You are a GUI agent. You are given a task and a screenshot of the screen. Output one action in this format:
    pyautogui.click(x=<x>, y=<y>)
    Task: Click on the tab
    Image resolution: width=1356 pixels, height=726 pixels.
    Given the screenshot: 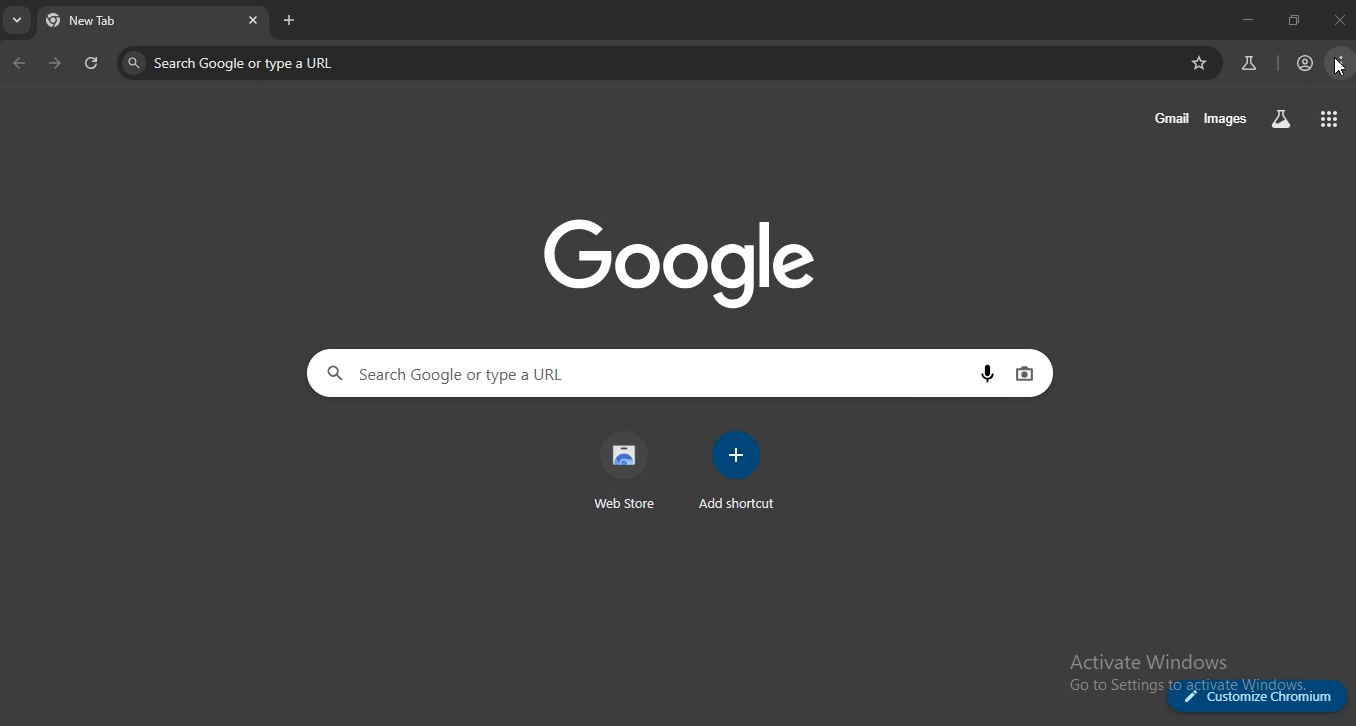 What is the action you would take?
    pyautogui.click(x=113, y=23)
    